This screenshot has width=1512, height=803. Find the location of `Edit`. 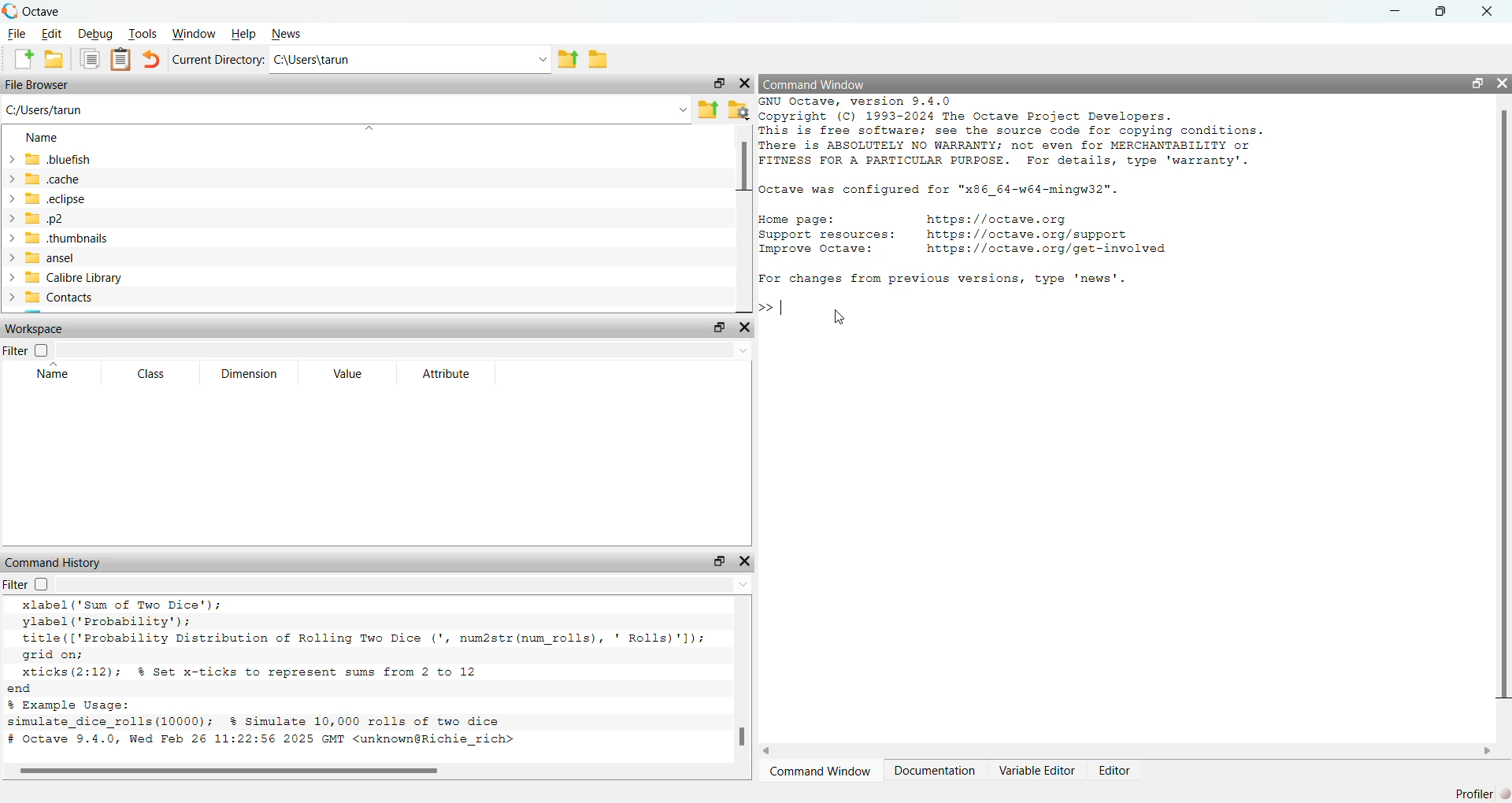

Edit is located at coordinates (51, 35).